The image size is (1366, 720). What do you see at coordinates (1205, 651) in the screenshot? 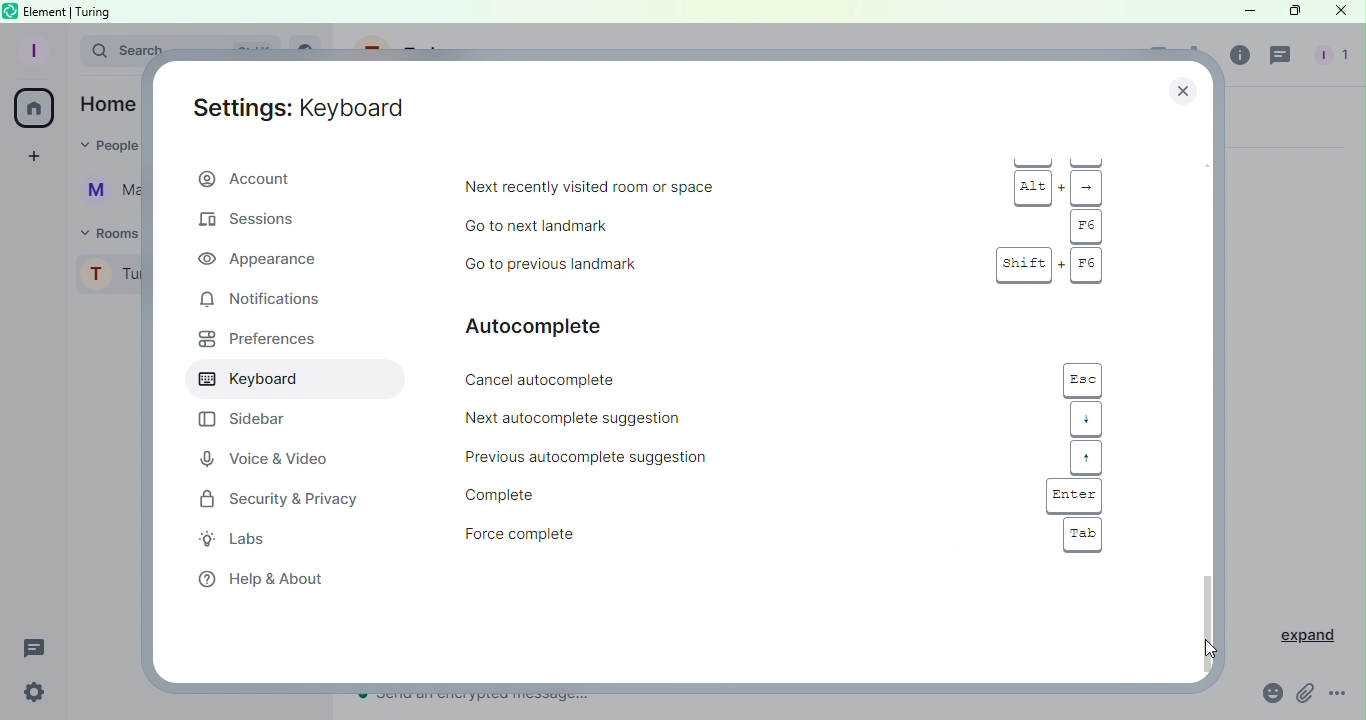
I see `Cursor` at bounding box center [1205, 651].